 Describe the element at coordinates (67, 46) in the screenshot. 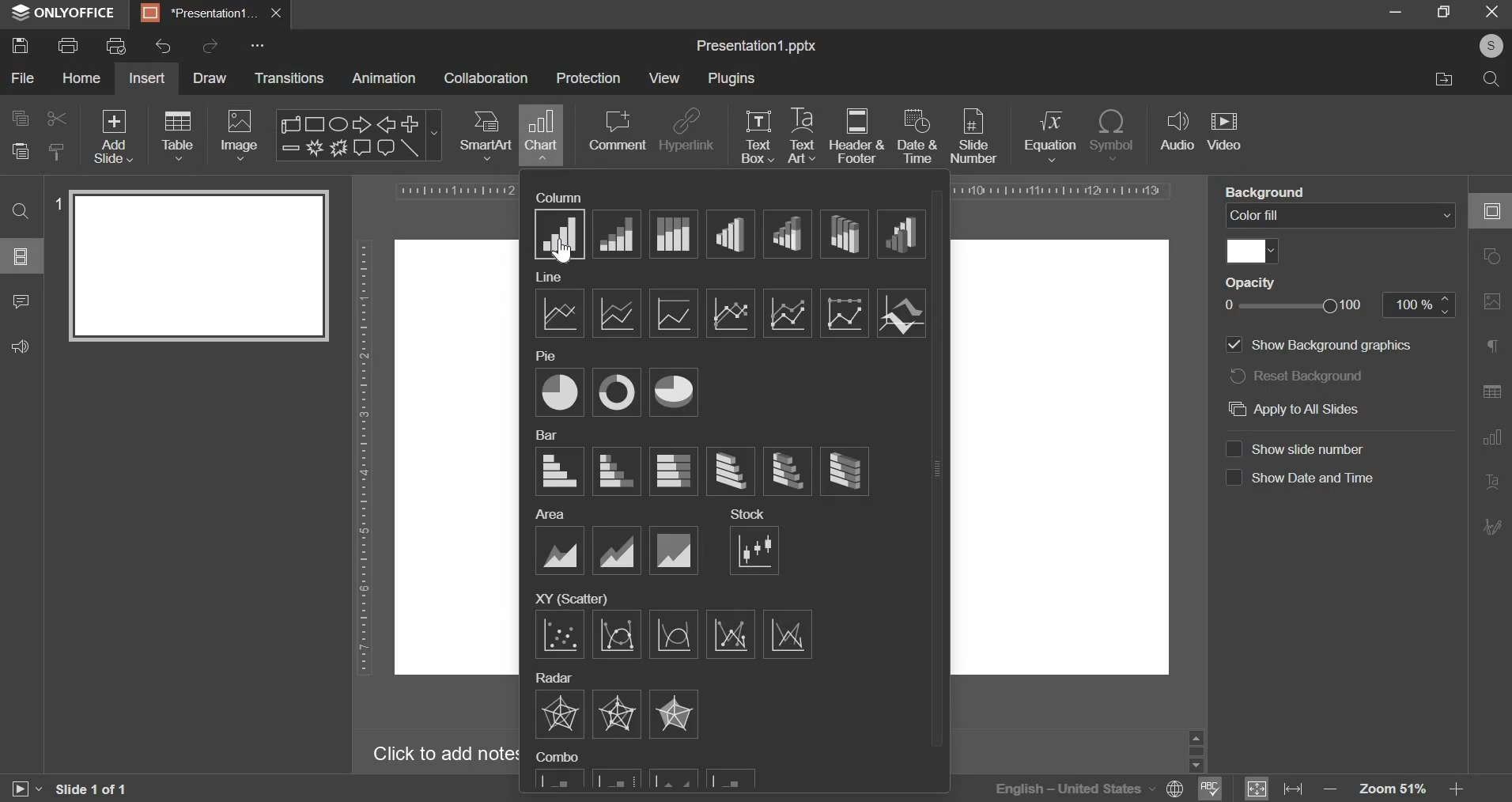

I see `print` at that location.